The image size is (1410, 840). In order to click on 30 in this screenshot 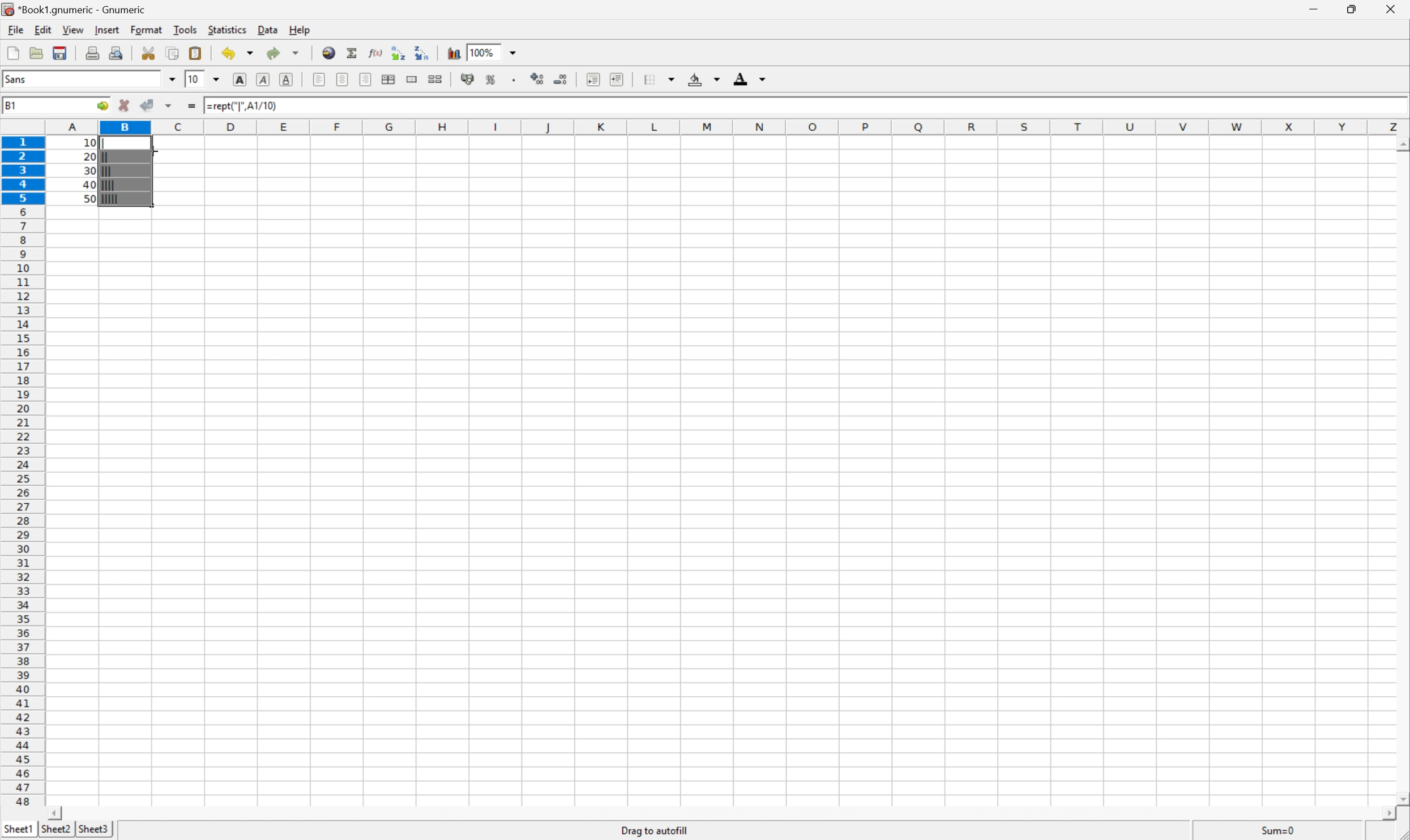, I will do `click(91, 170)`.